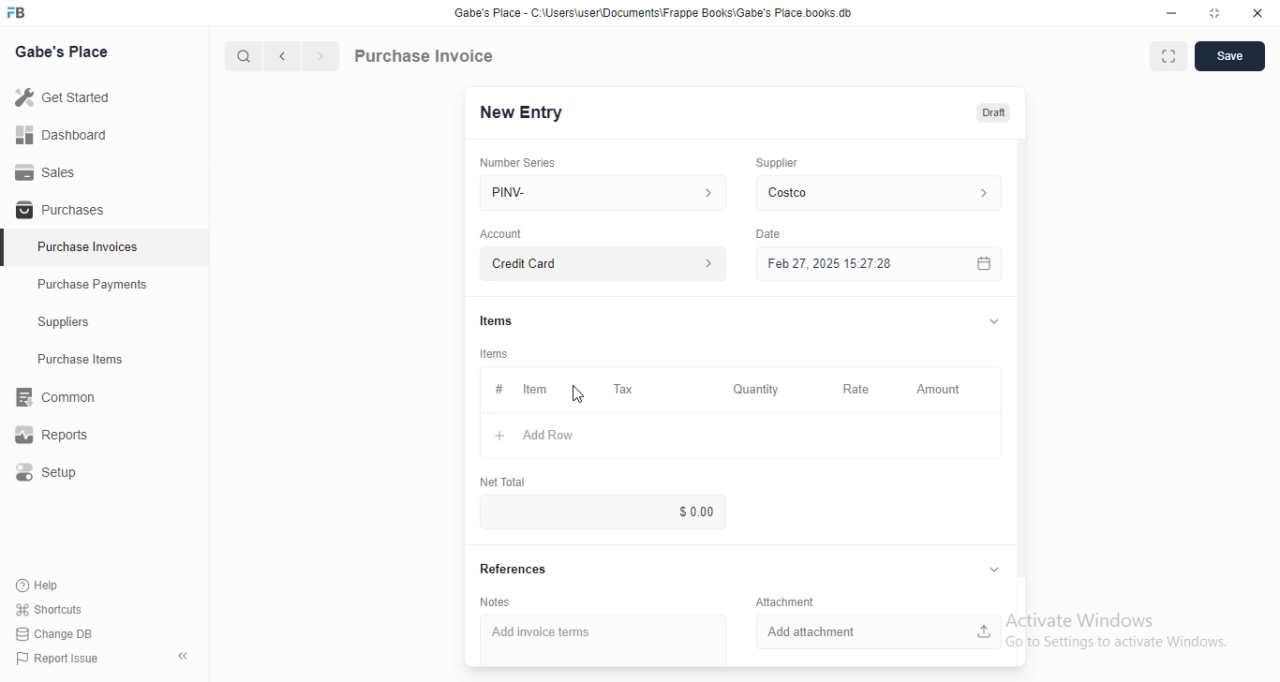  What do you see at coordinates (54, 634) in the screenshot?
I see `Change DB` at bounding box center [54, 634].